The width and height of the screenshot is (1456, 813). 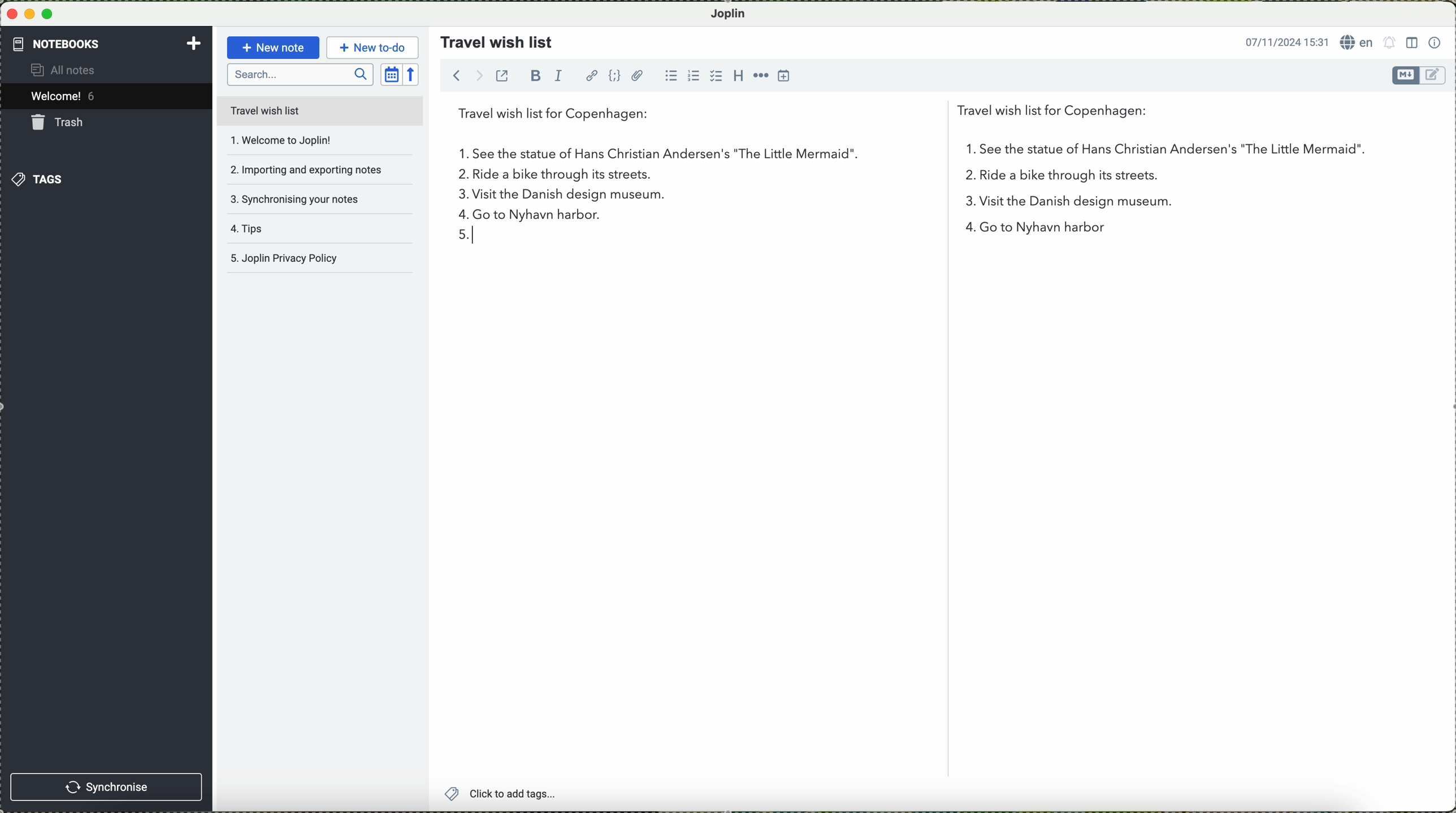 What do you see at coordinates (591, 75) in the screenshot?
I see `hyperlink` at bounding box center [591, 75].